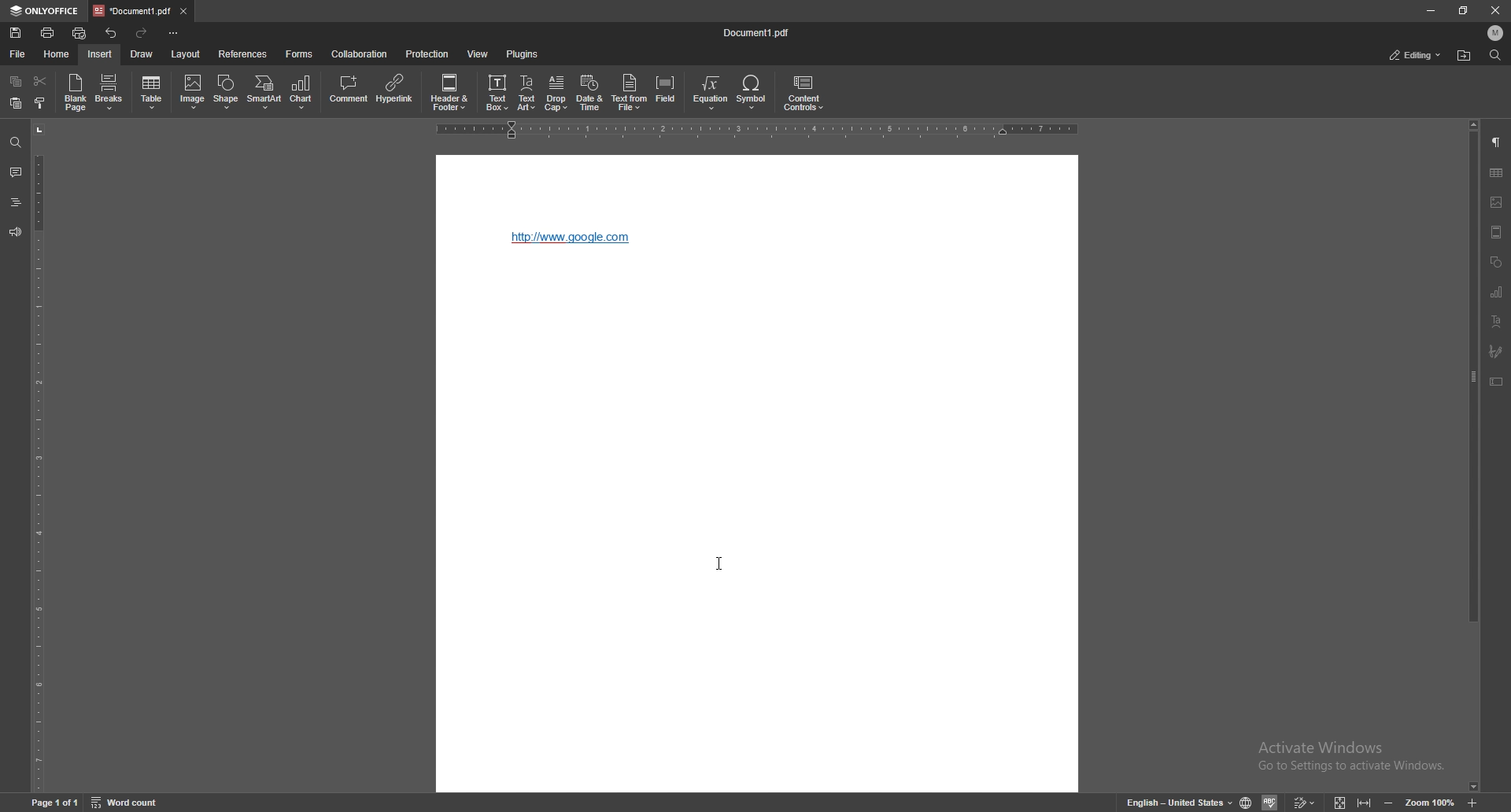 The width and height of the screenshot is (1511, 812). I want to click on page 1 of 1, so click(55, 800).